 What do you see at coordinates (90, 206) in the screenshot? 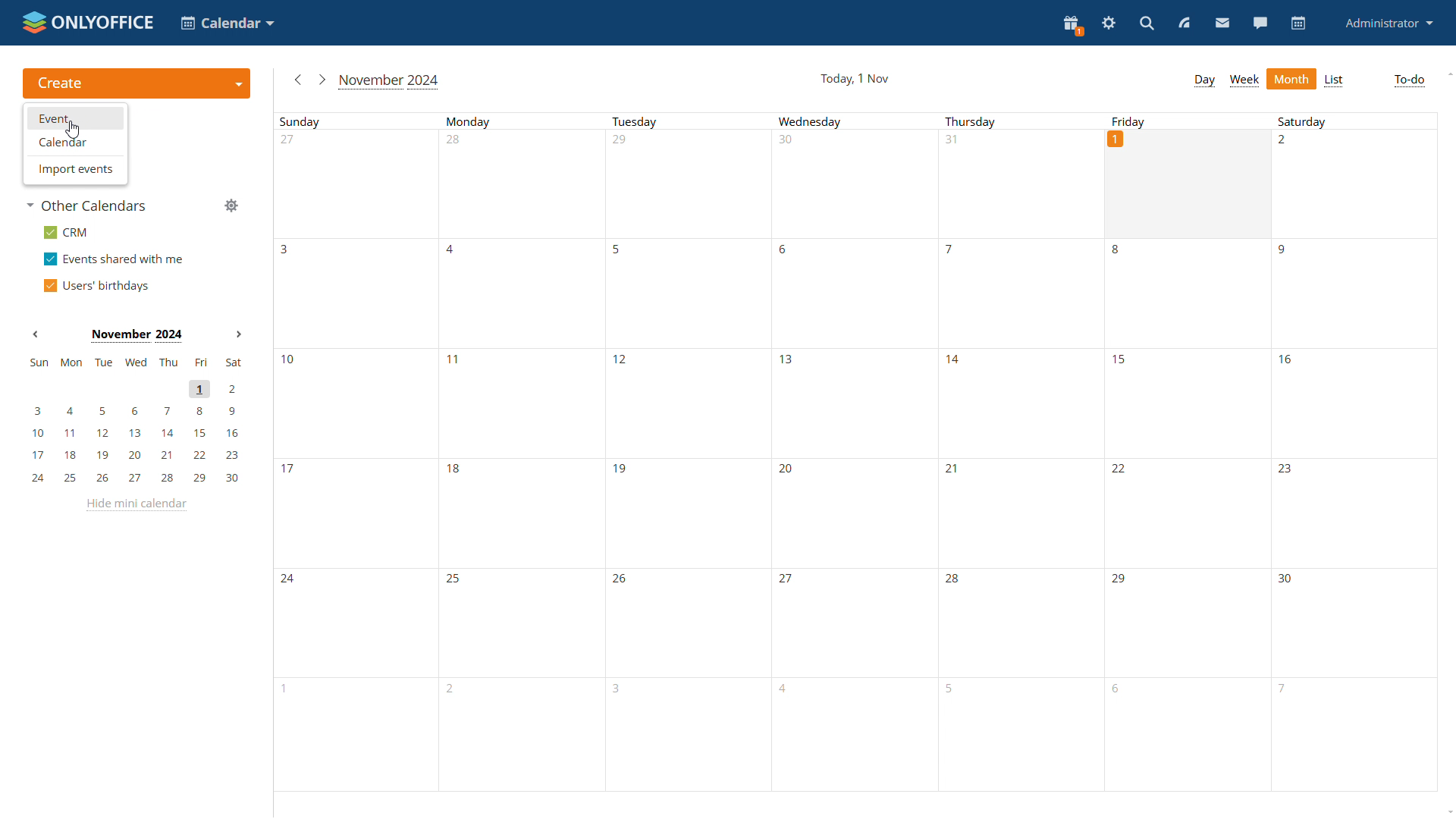
I see `other calendars` at bounding box center [90, 206].